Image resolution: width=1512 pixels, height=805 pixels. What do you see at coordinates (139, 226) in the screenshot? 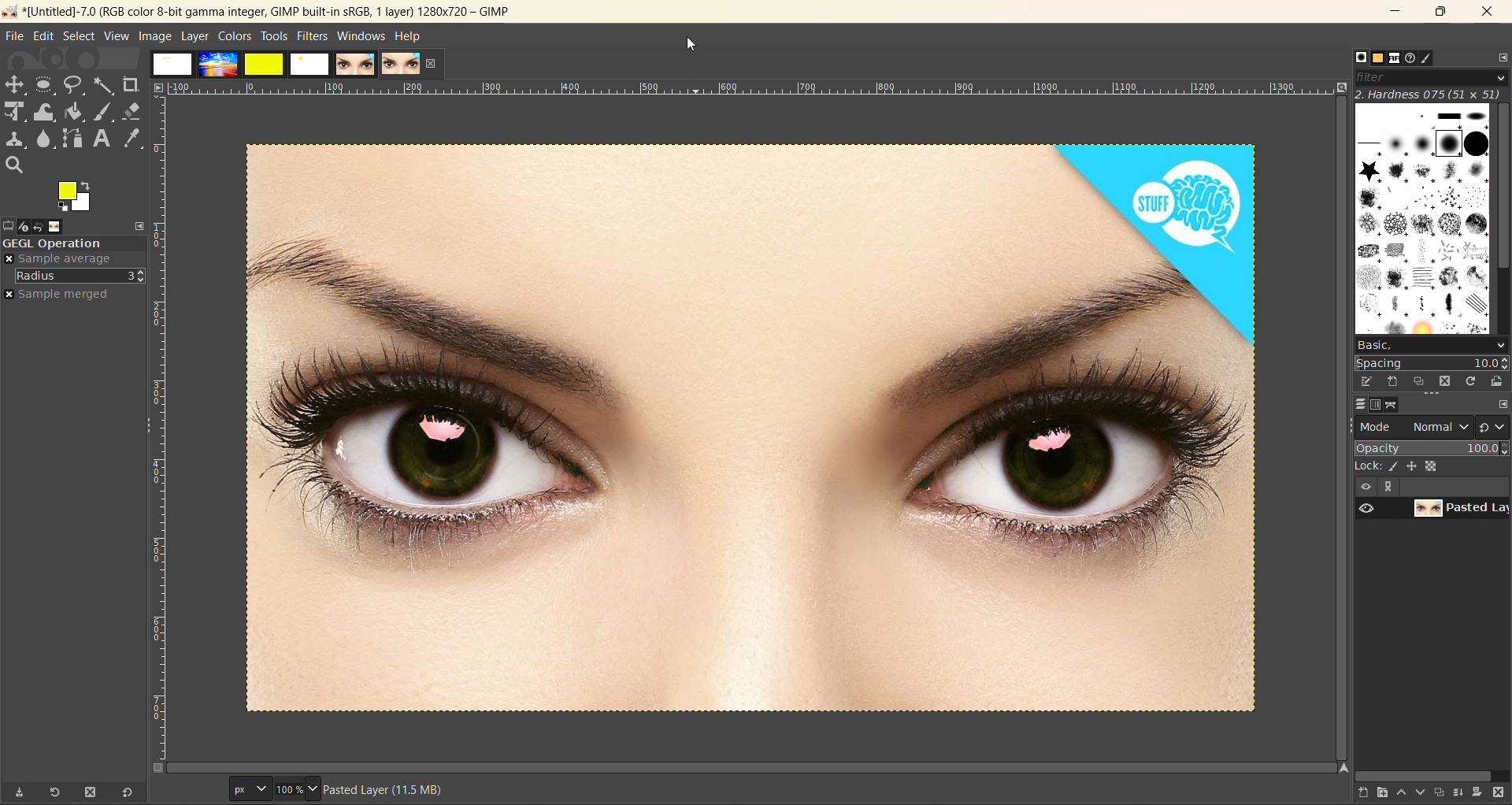
I see `configure` at bounding box center [139, 226].